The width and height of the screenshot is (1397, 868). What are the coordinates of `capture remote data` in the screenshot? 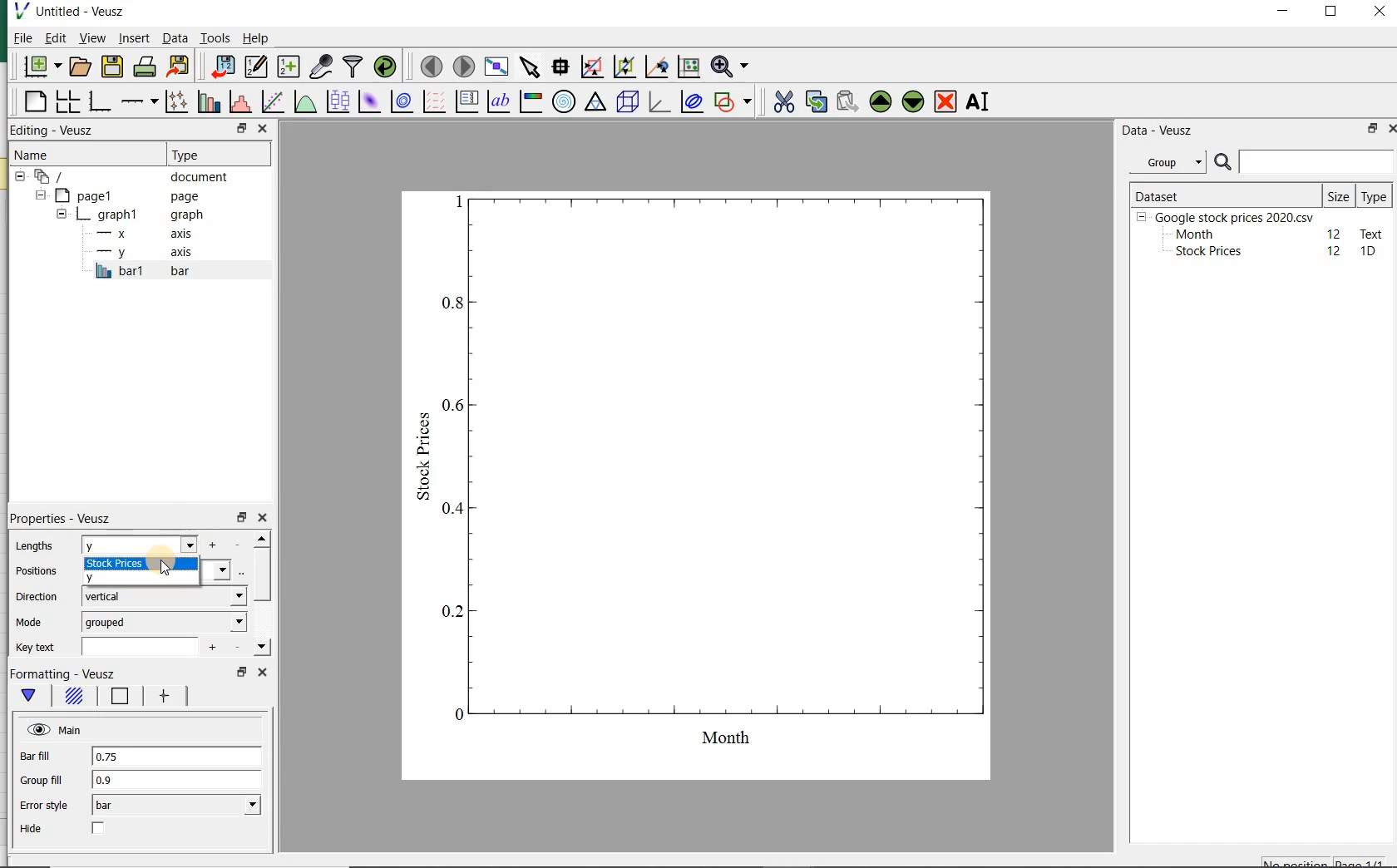 It's located at (321, 67).